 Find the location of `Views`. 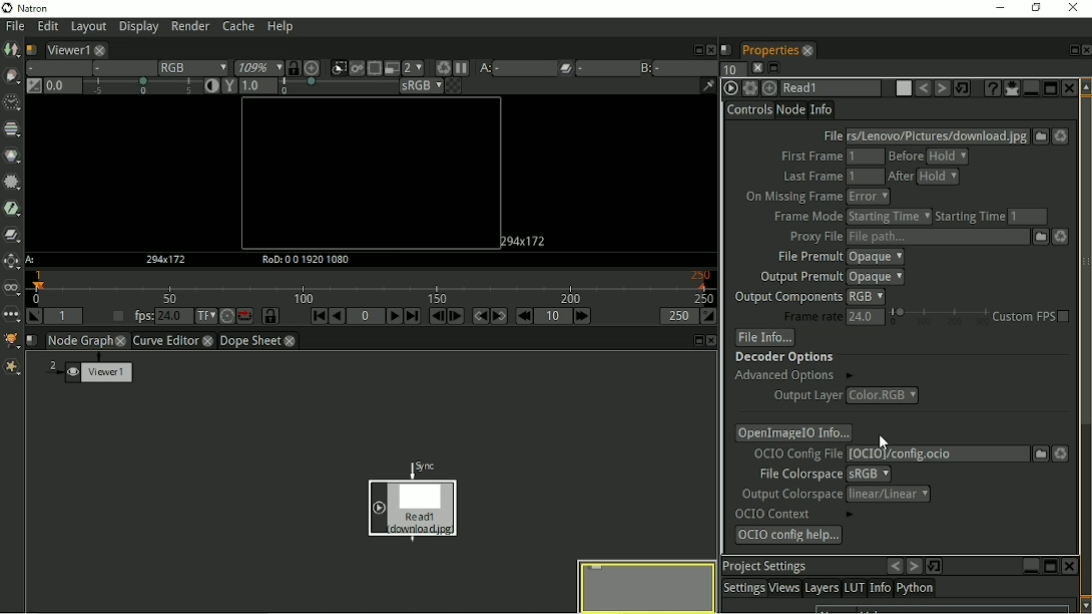

Views is located at coordinates (786, 587).